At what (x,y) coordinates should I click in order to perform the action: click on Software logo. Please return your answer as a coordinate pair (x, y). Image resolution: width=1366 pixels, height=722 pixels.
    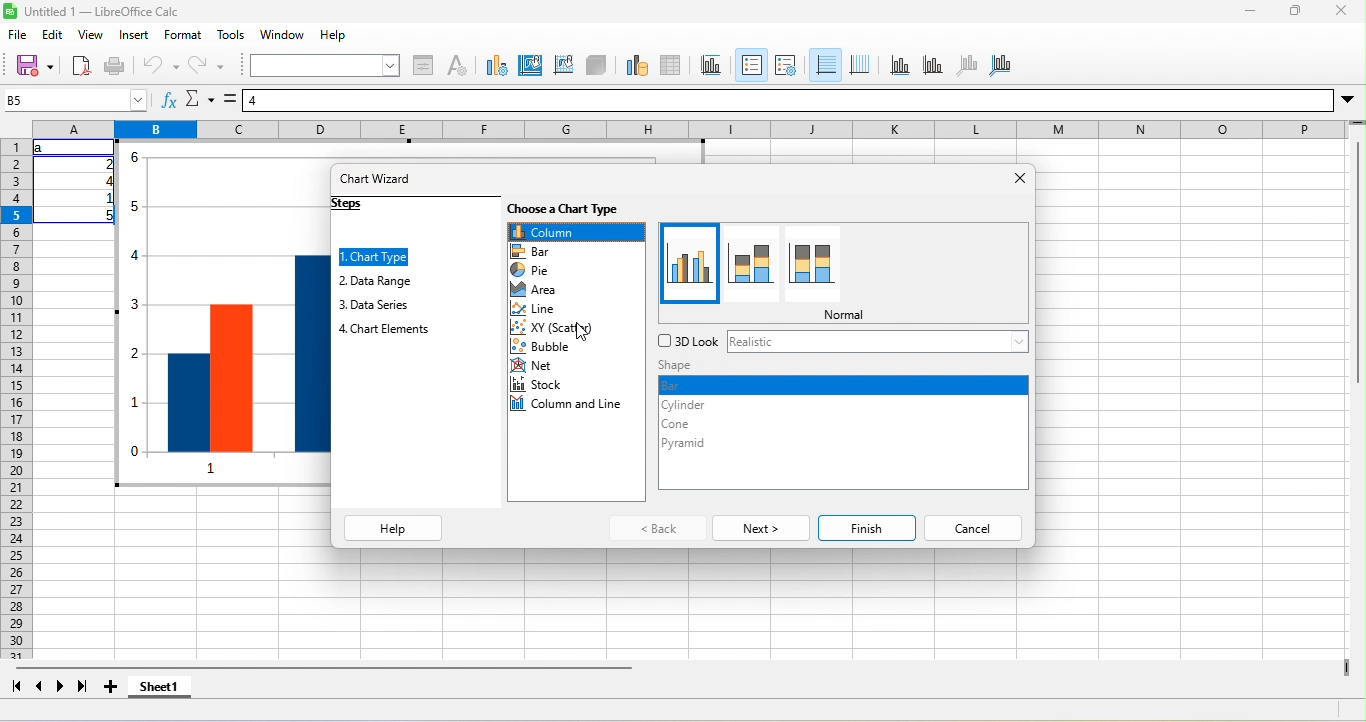
    Looking at the image, I should click on (10, 11).